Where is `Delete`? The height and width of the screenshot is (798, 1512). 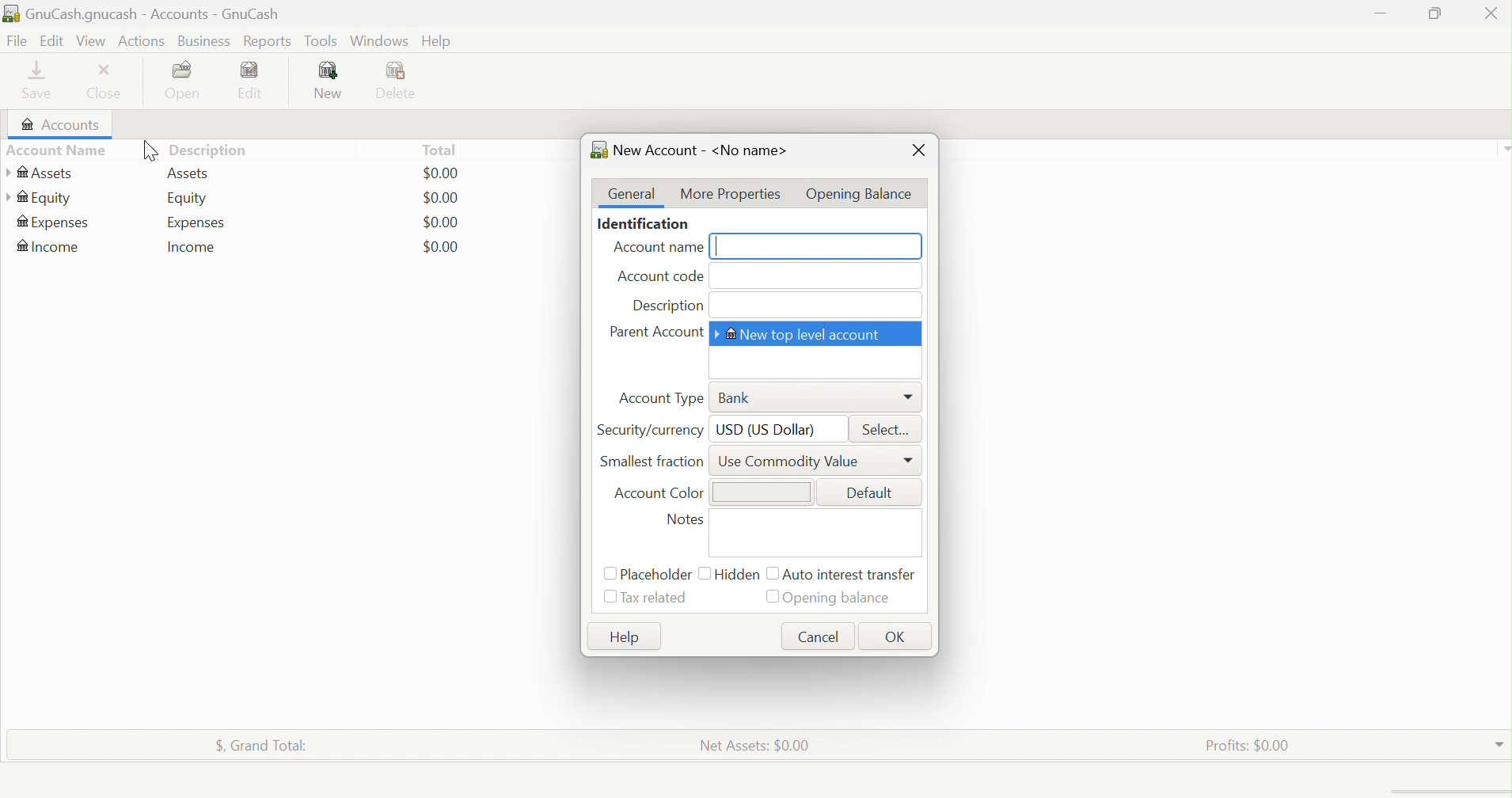 Delete is located at coordinates (401, 82).